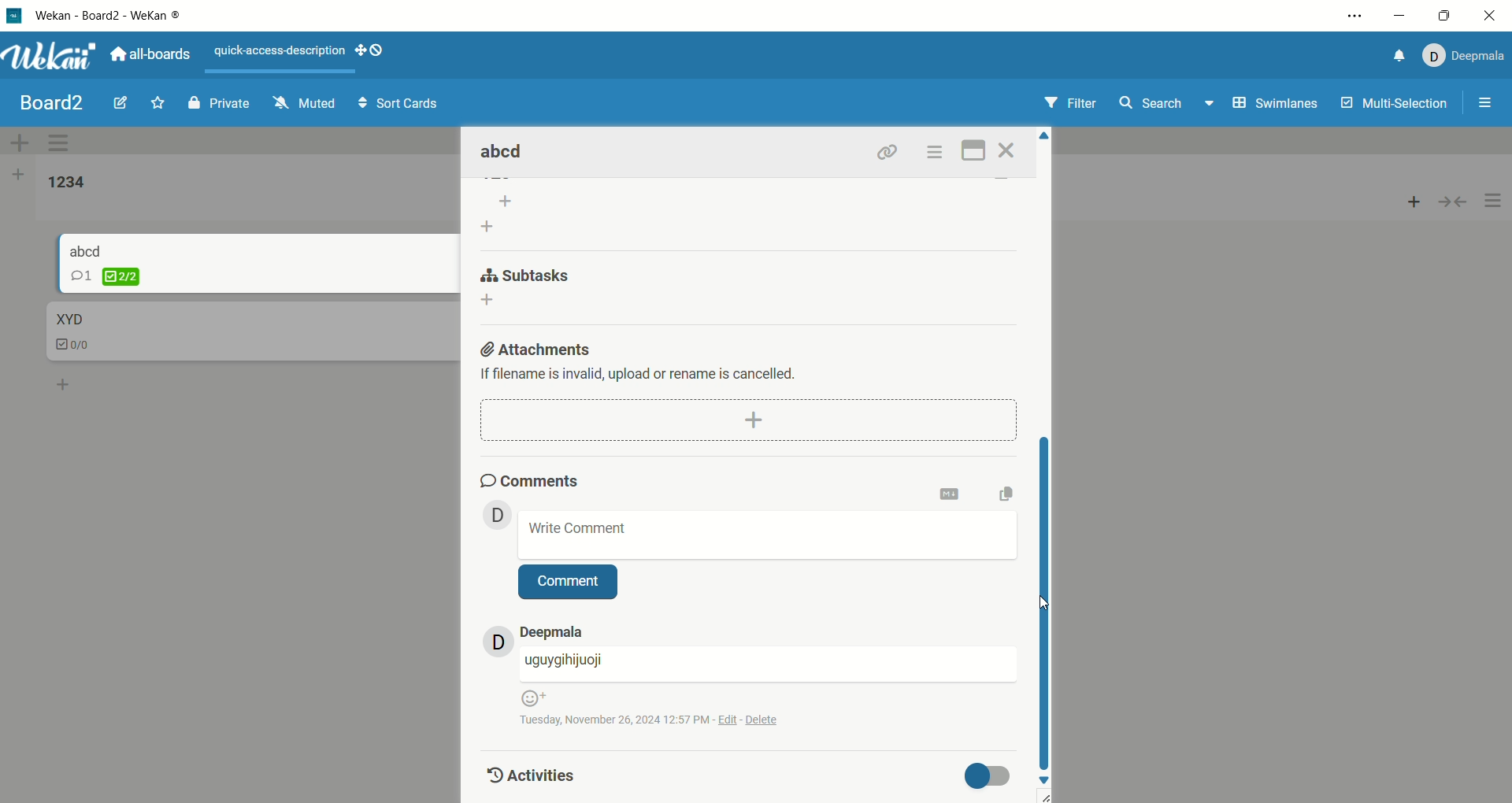 The height and width of the screenshot is (803, 1512). Describe the element at coordinates (768, 664) in the screenshot. I see `username` at that location.